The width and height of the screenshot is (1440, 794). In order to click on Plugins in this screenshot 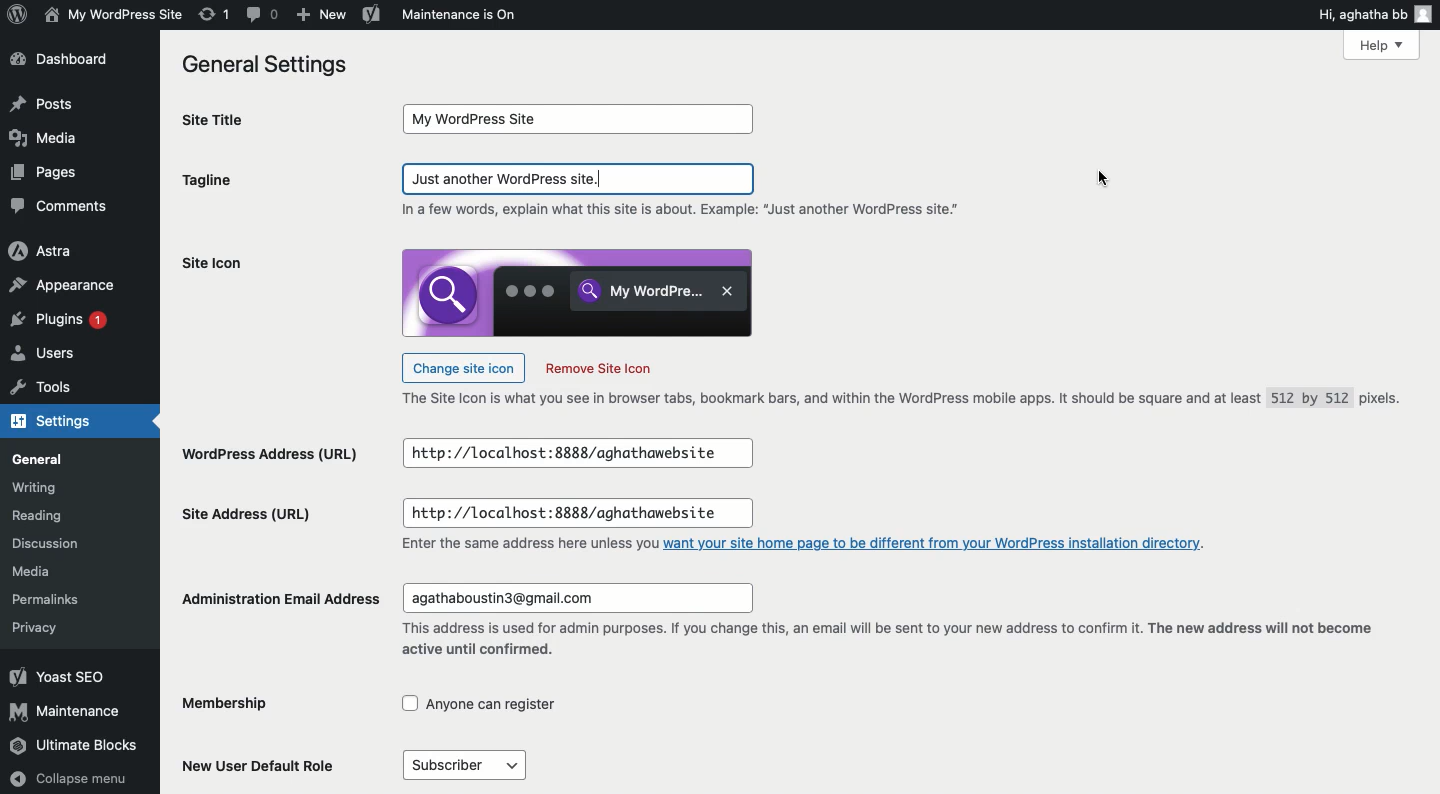, I will do `click(63, 322)`.